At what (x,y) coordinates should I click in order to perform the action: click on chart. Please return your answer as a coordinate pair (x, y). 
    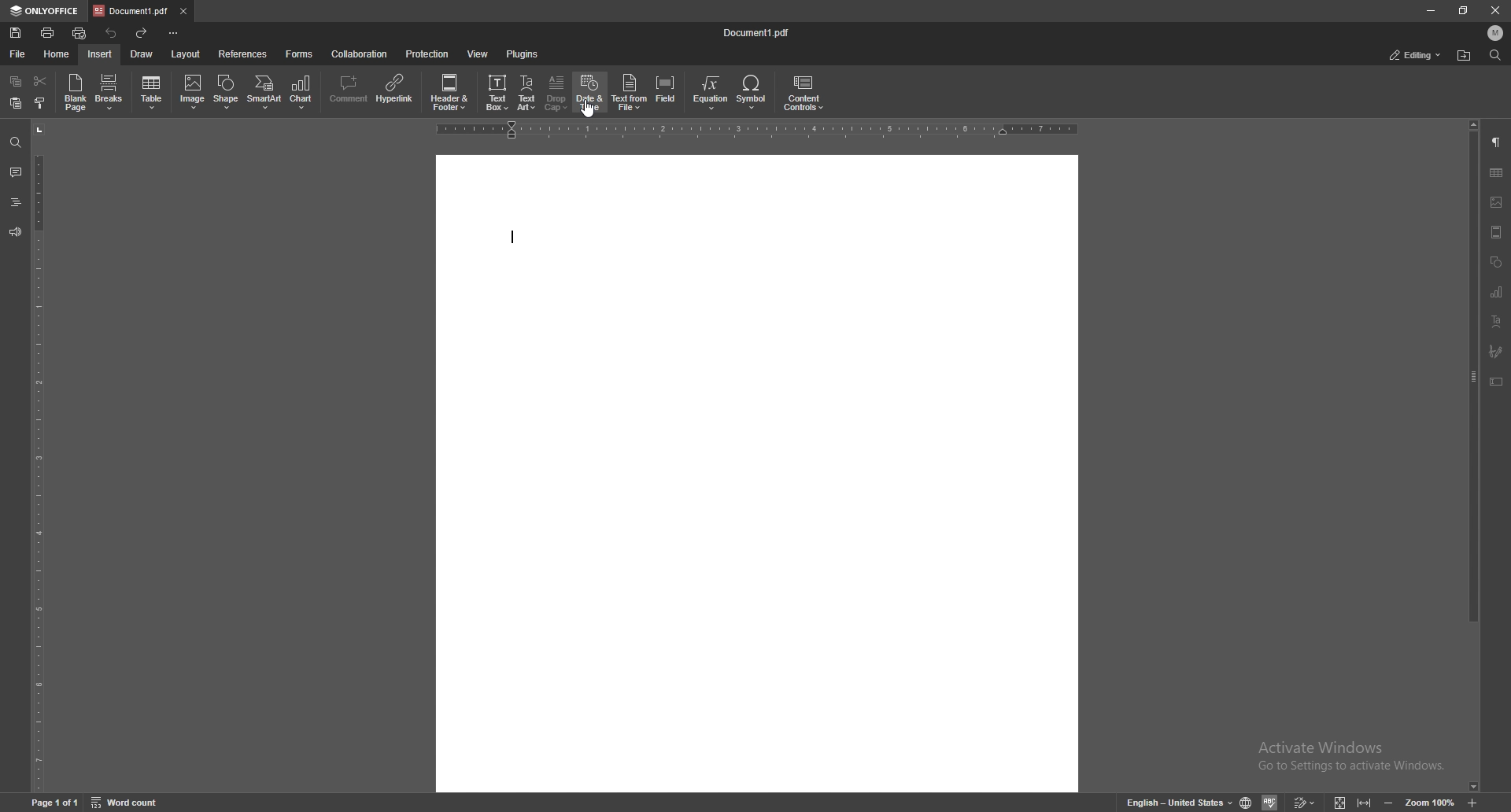
    Looking at the image, I should click on (302, 93).